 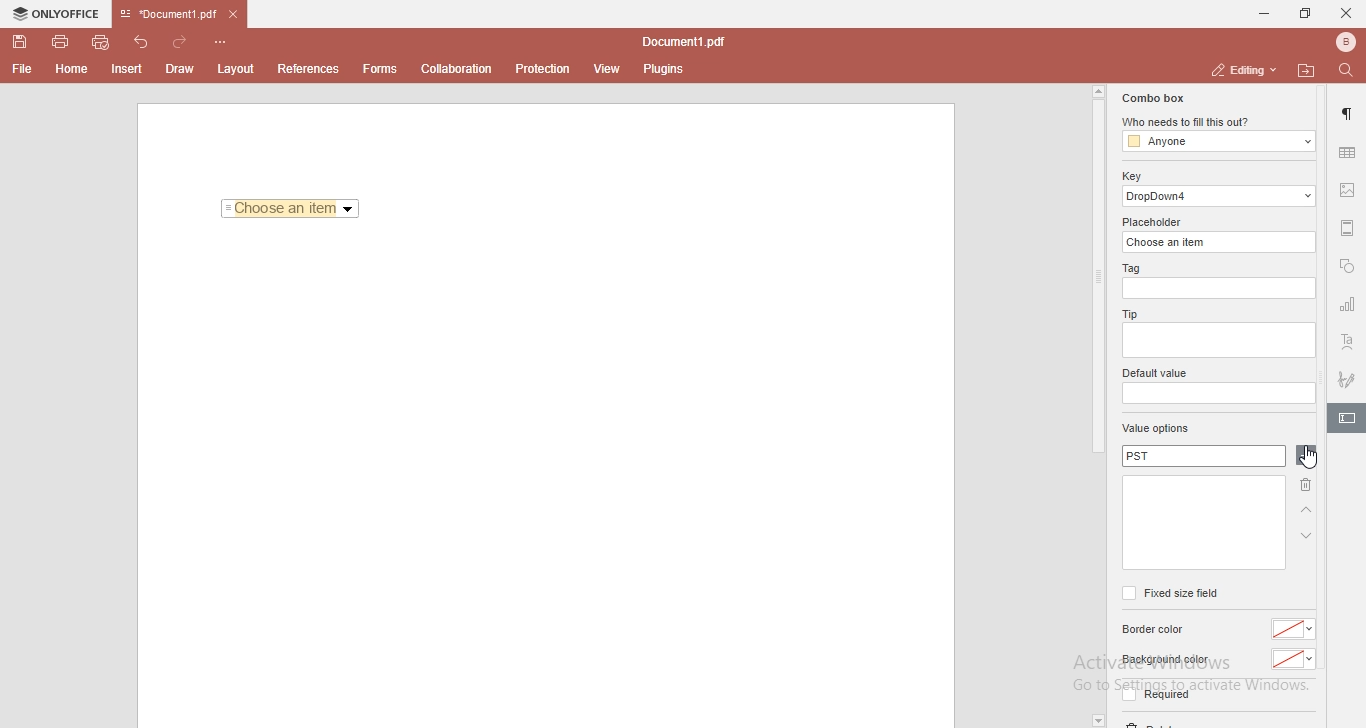 I want to click on required, so click(x=1154, y=698).